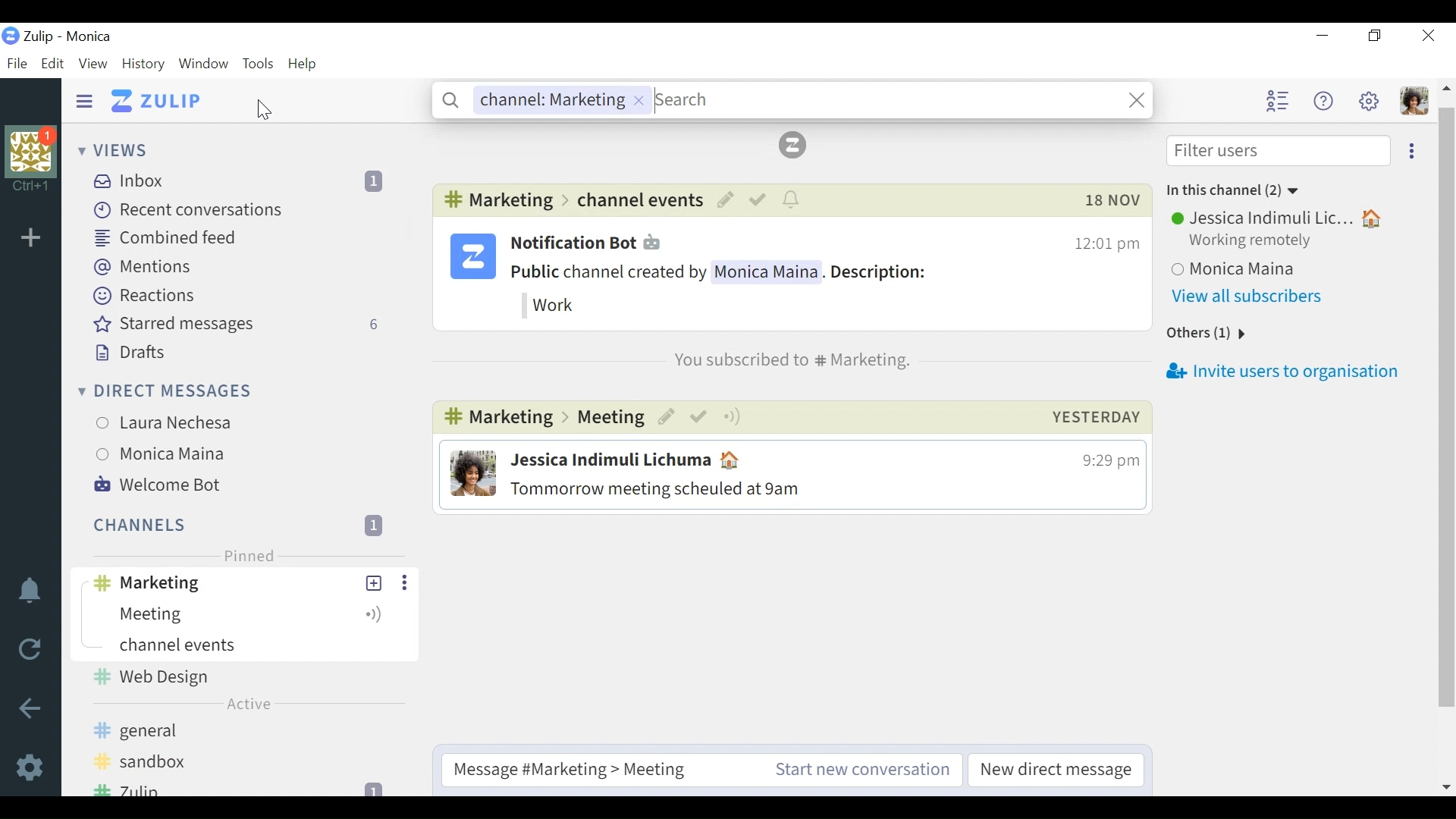 This screenshot has width=1456, height=819. Describe the element at coordinates (156, 100) in the screenshot. I see `Go to Home view (Inbox)` at that location.